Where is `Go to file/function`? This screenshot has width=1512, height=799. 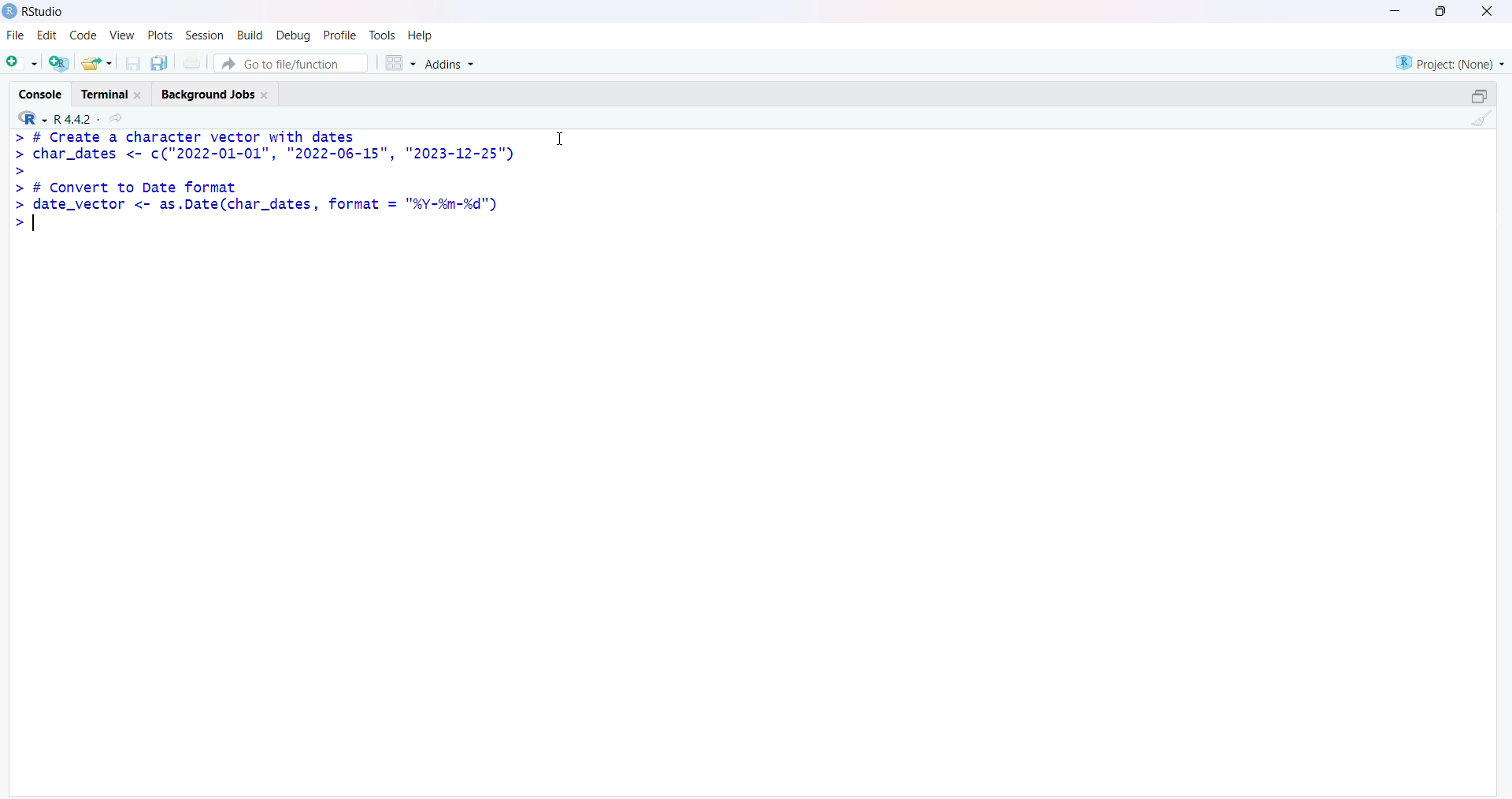
Go to file/function is located at coordinates (295, 61).